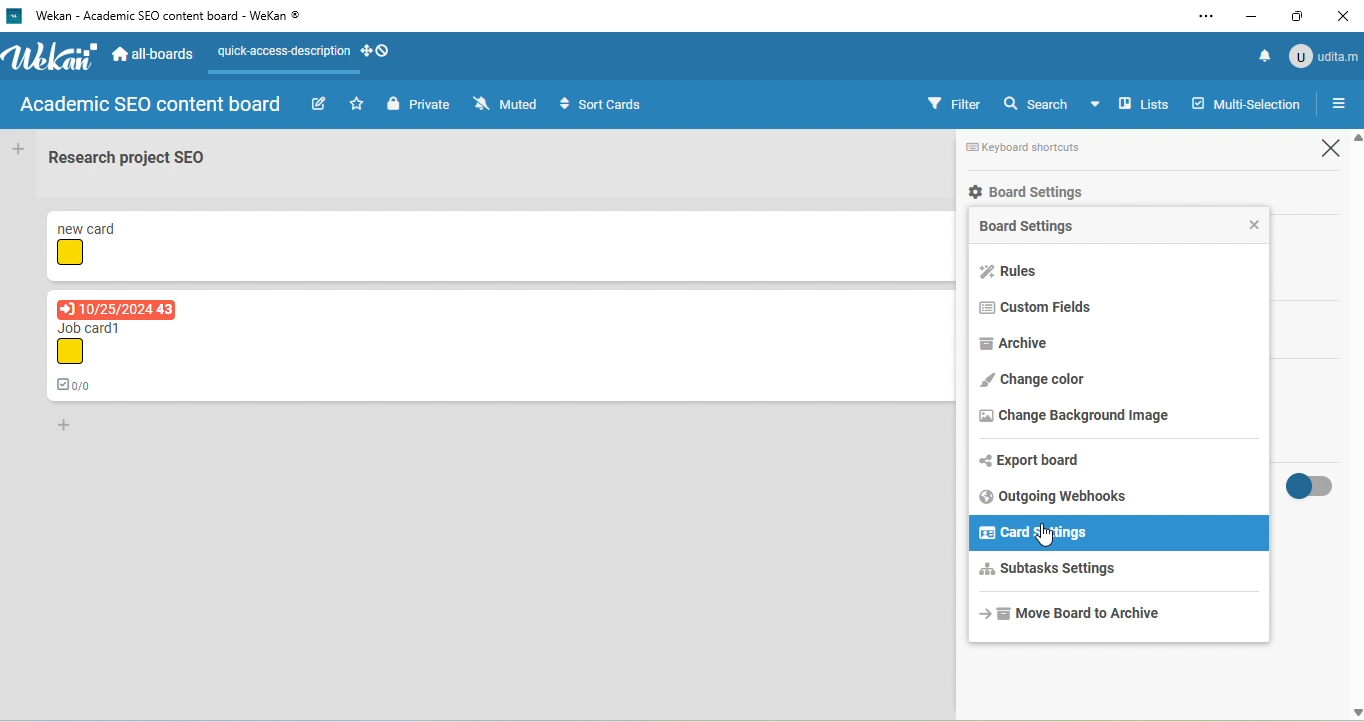 The height and width of the screenshot is (722, 1364). Describe the element at coordinates (13, 16) in the screenshot. I see `logo` at that location.